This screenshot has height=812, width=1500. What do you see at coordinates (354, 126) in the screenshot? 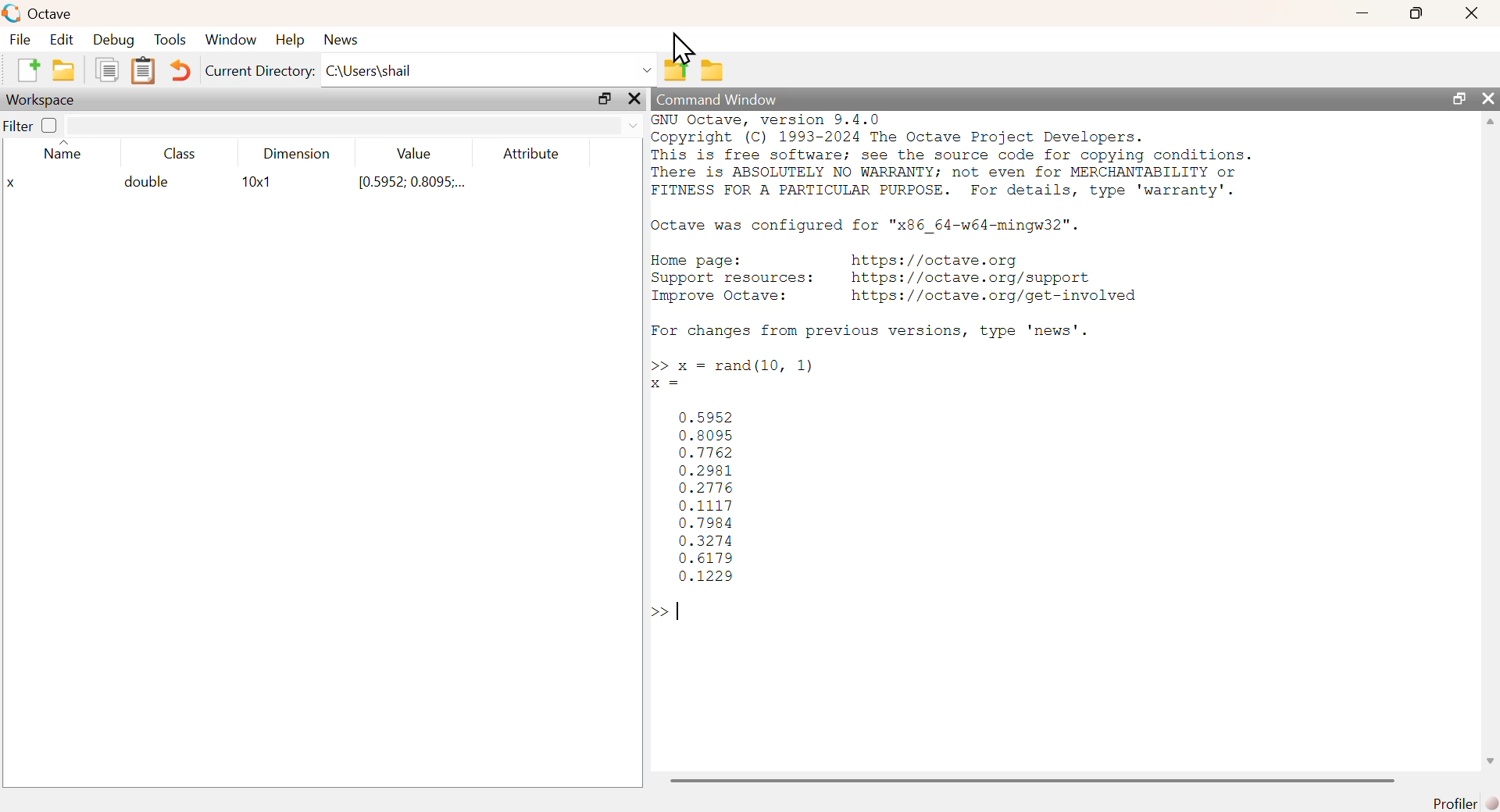
I see `filter` at bounding box center [354, 126].